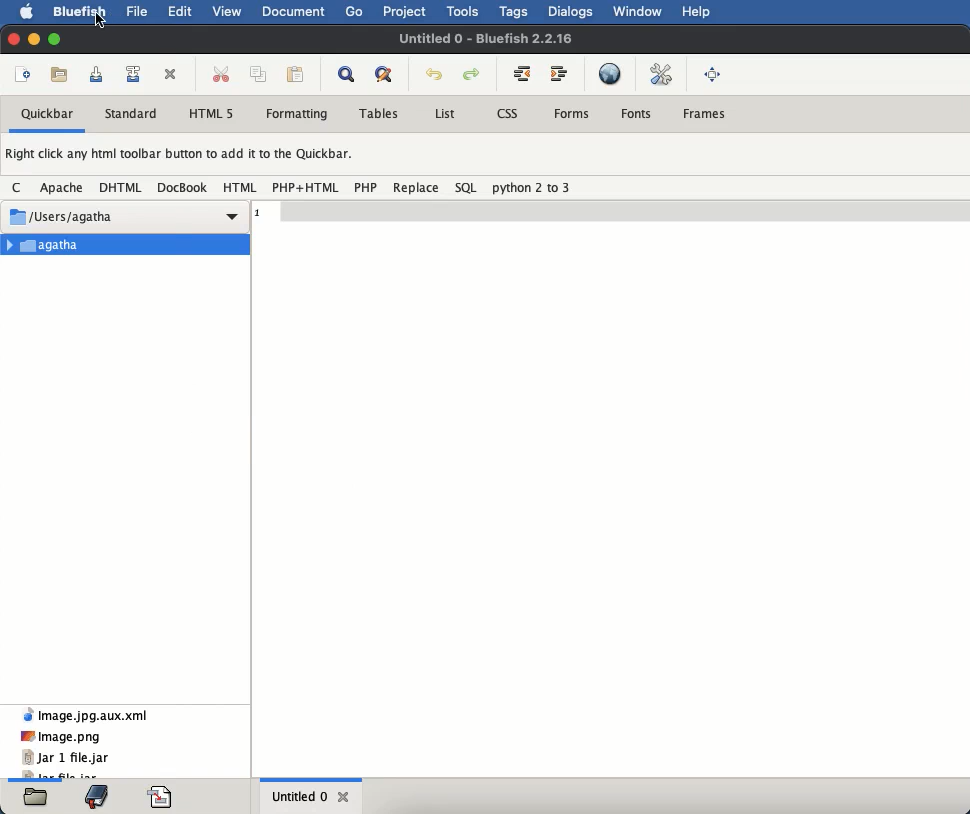 The image size is (970, 814). What do you see at coordinates (221, 73) in the screenshot?
I see `cut` at bounding box center [221, 73].